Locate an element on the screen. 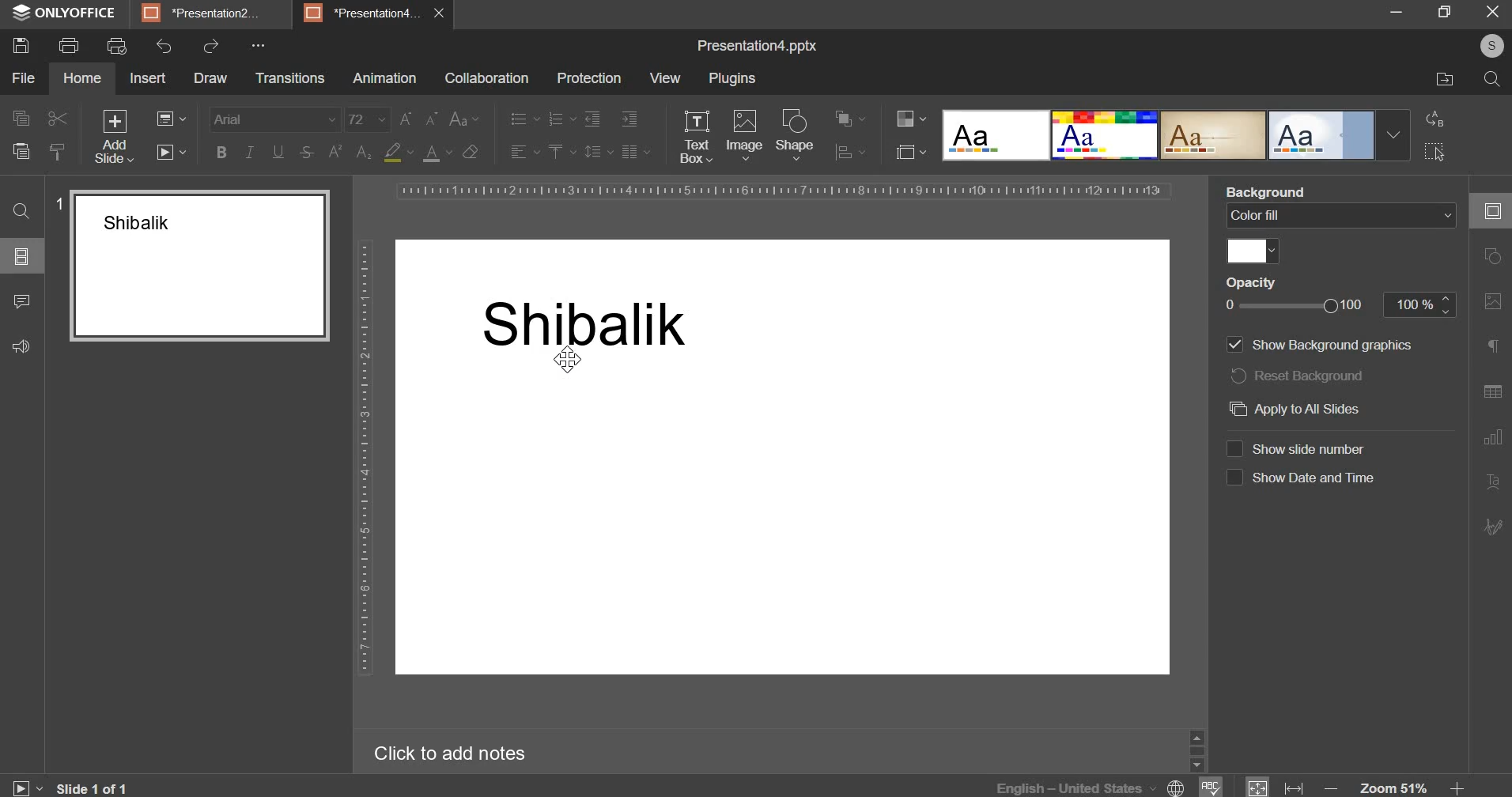  image is located at coordinates (1492, 309).